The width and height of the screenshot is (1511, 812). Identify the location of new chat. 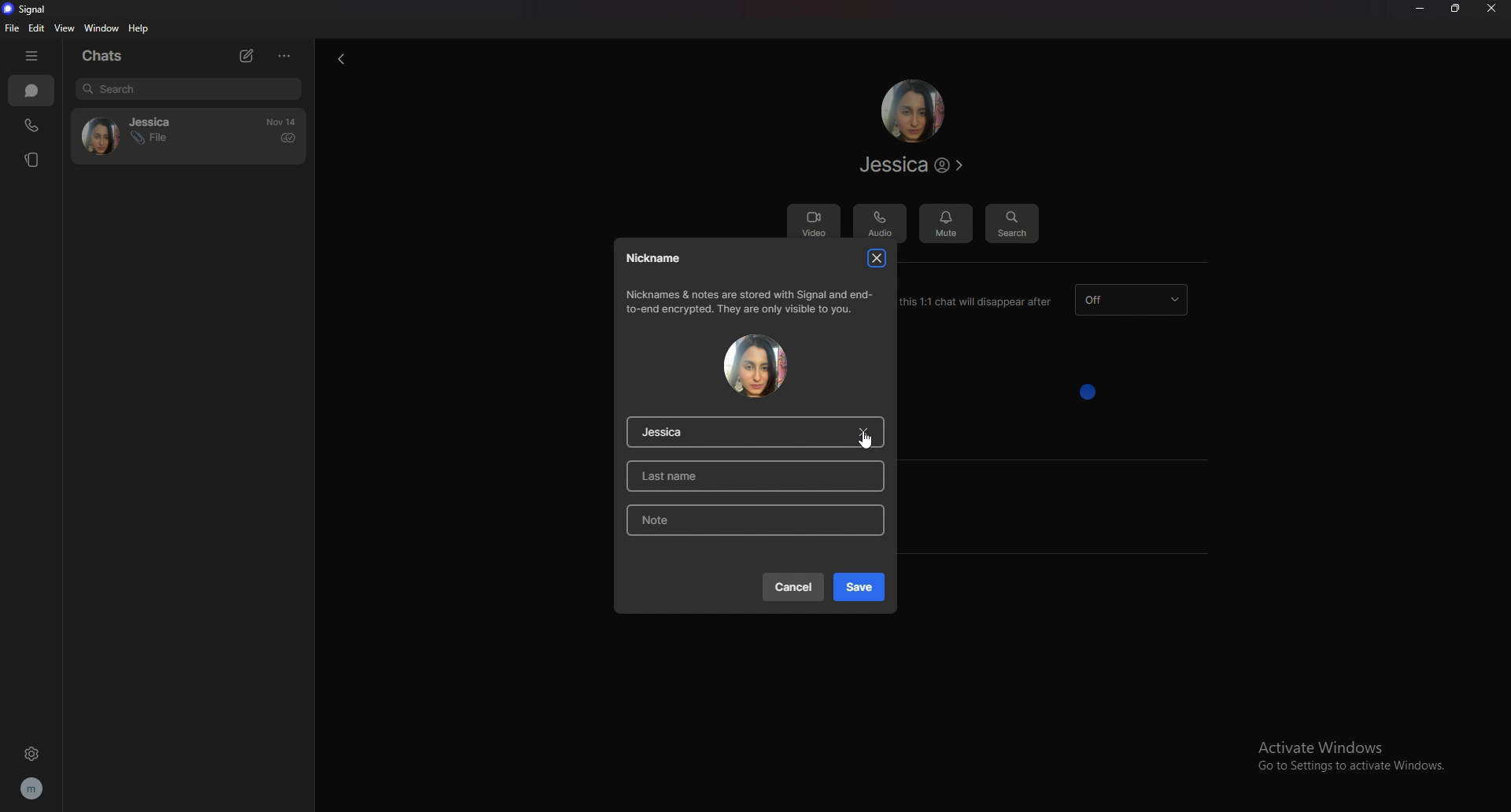
(245, 55).